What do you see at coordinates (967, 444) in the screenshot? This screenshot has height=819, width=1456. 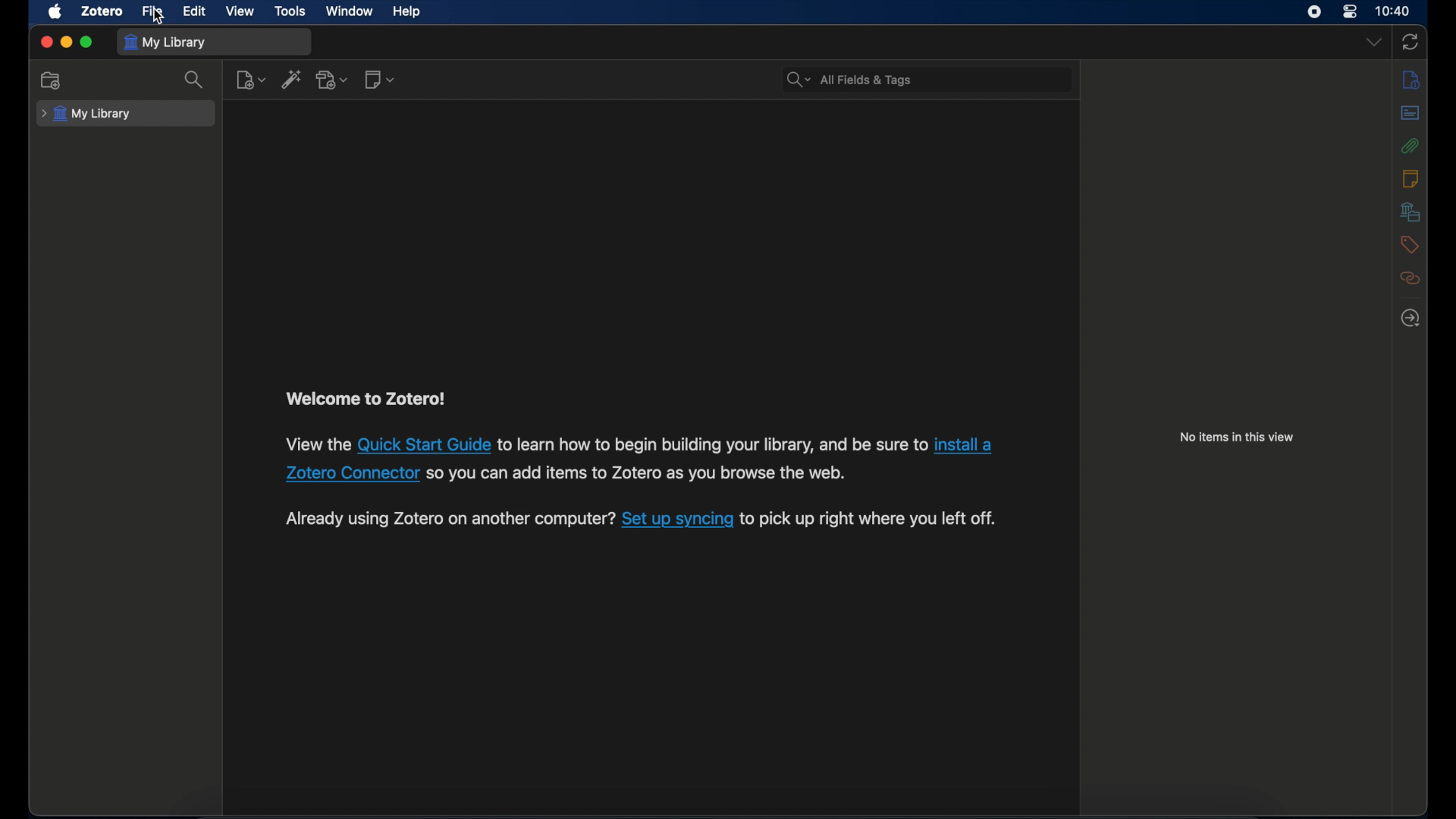 I see `install a` at bounding box center [967, 444].